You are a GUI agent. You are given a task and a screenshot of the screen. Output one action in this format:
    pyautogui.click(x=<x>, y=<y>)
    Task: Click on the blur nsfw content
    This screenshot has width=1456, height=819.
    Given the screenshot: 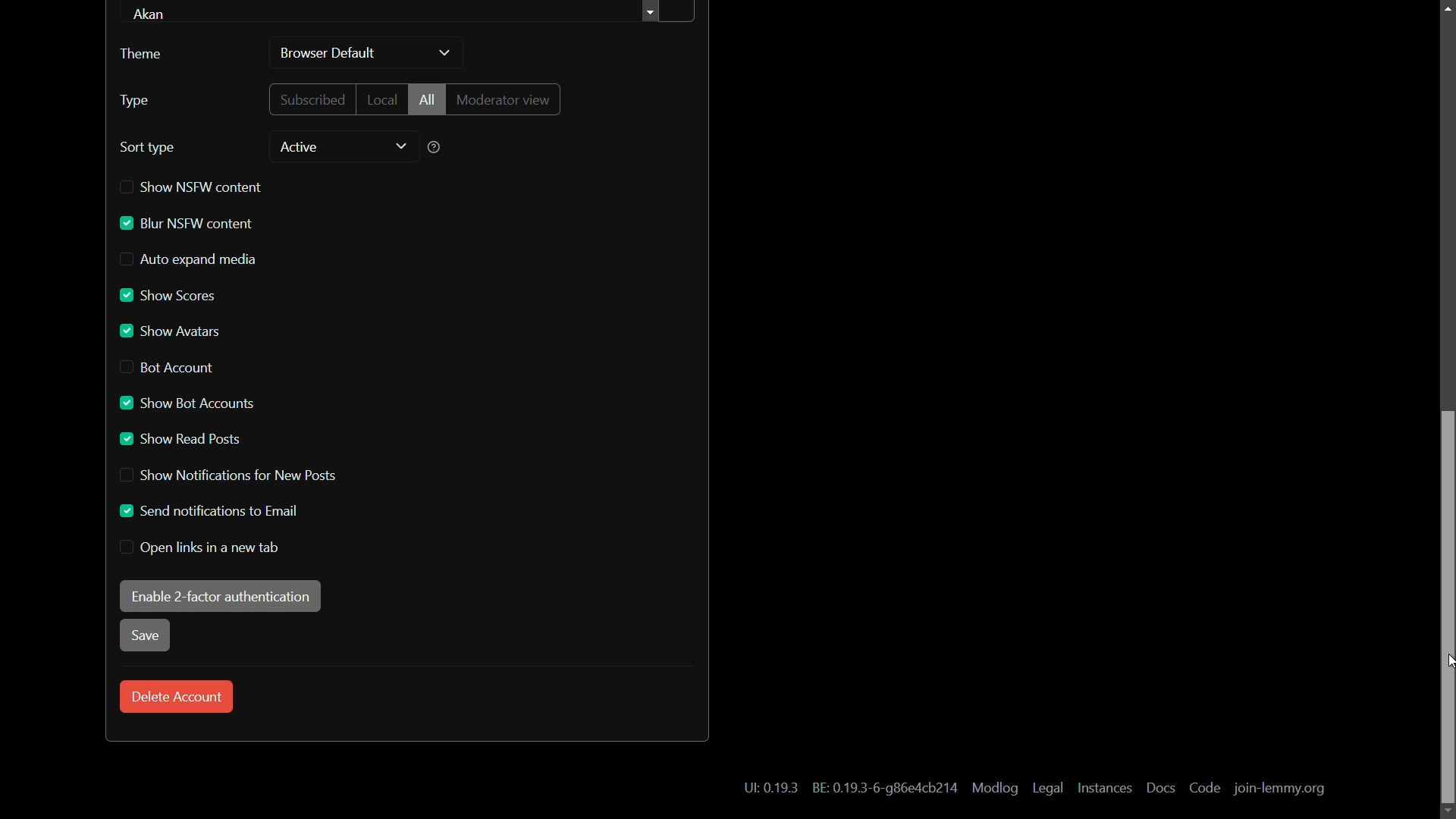 What is the action you would take?
    pyautogui.click(x=186, y=224)
    